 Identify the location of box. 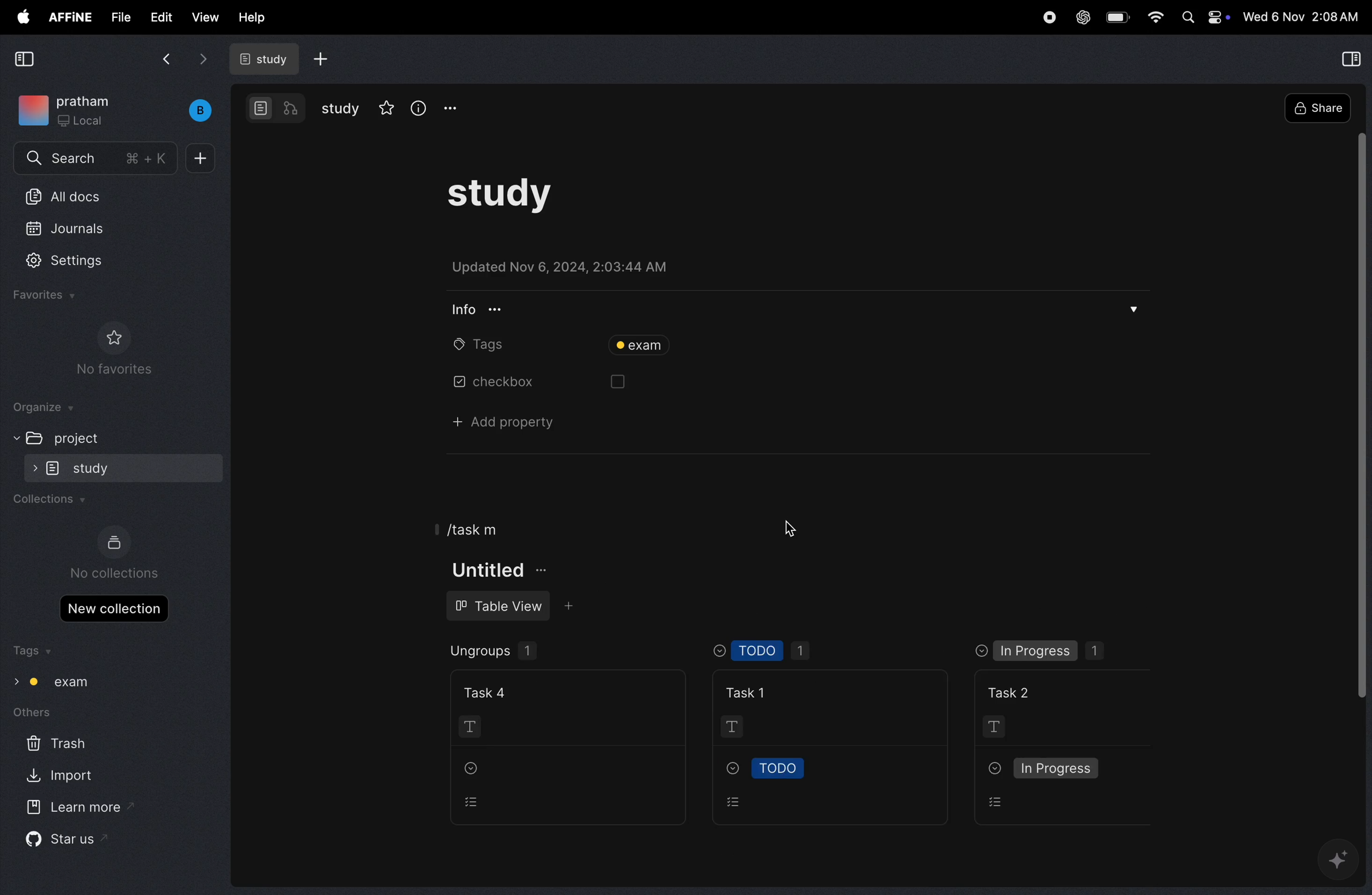
(613, 382).